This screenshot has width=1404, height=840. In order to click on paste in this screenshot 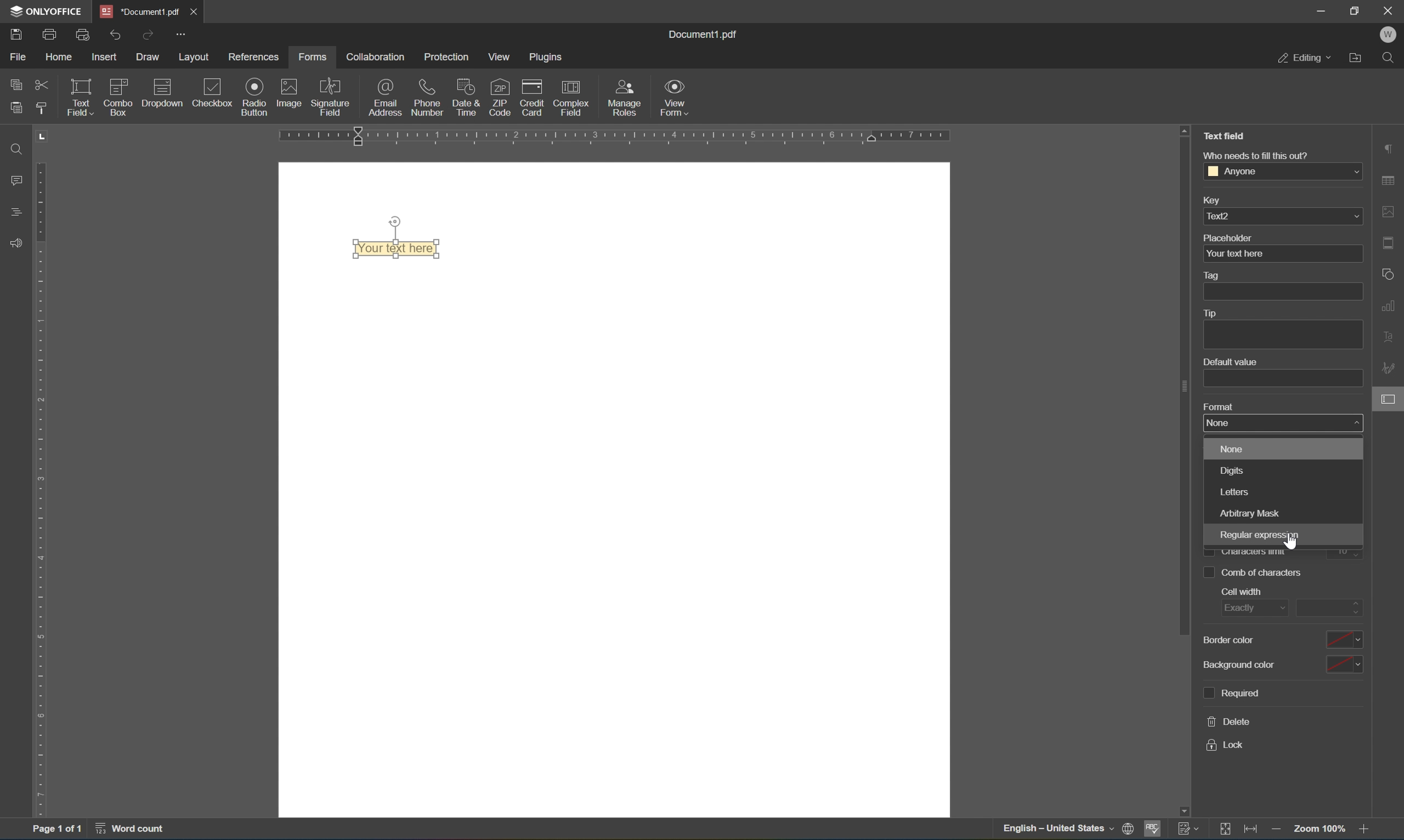, I will do `click(19, 108)`.